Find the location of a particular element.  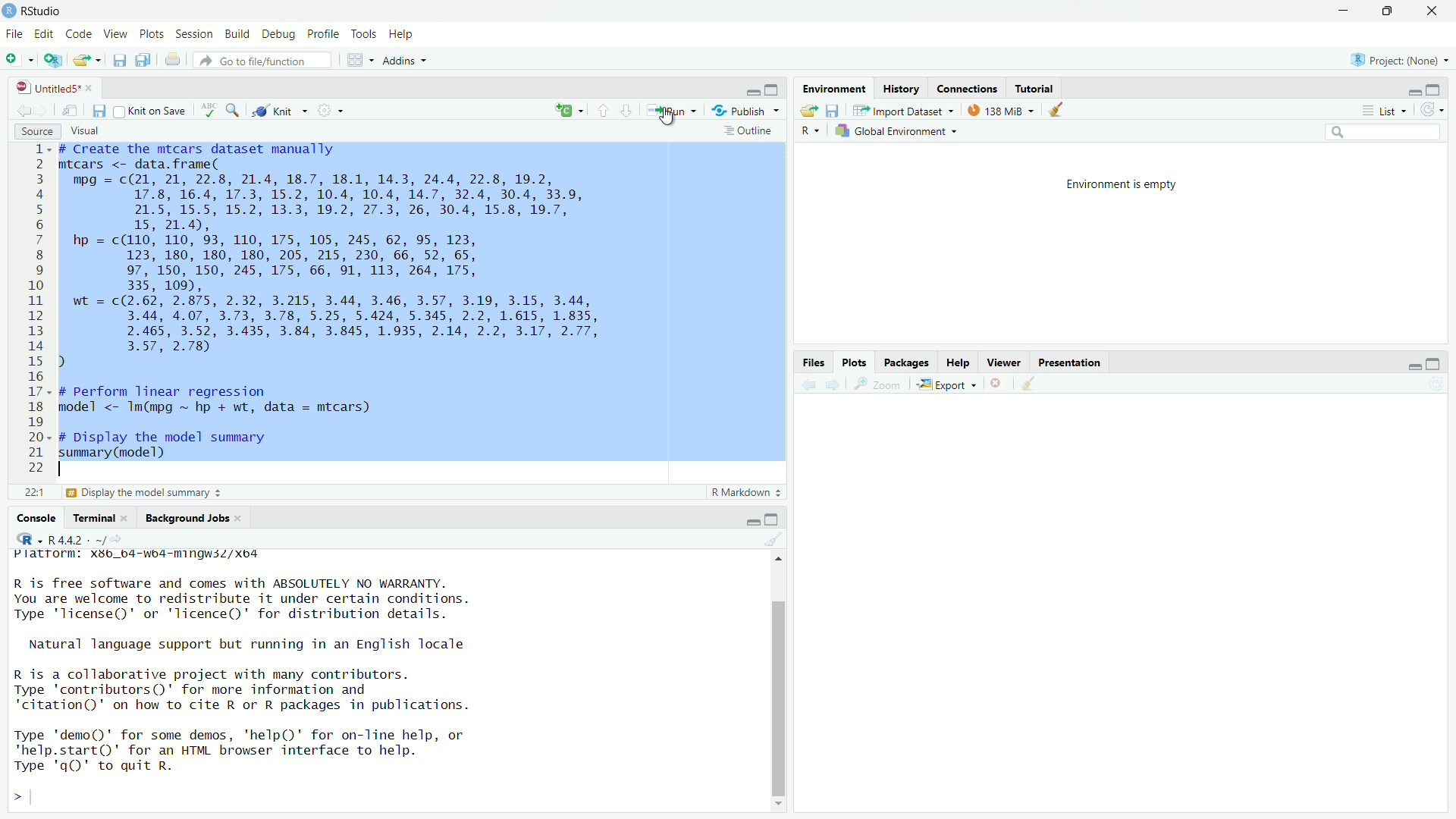

import dataset is located at coordinates (897, 111).